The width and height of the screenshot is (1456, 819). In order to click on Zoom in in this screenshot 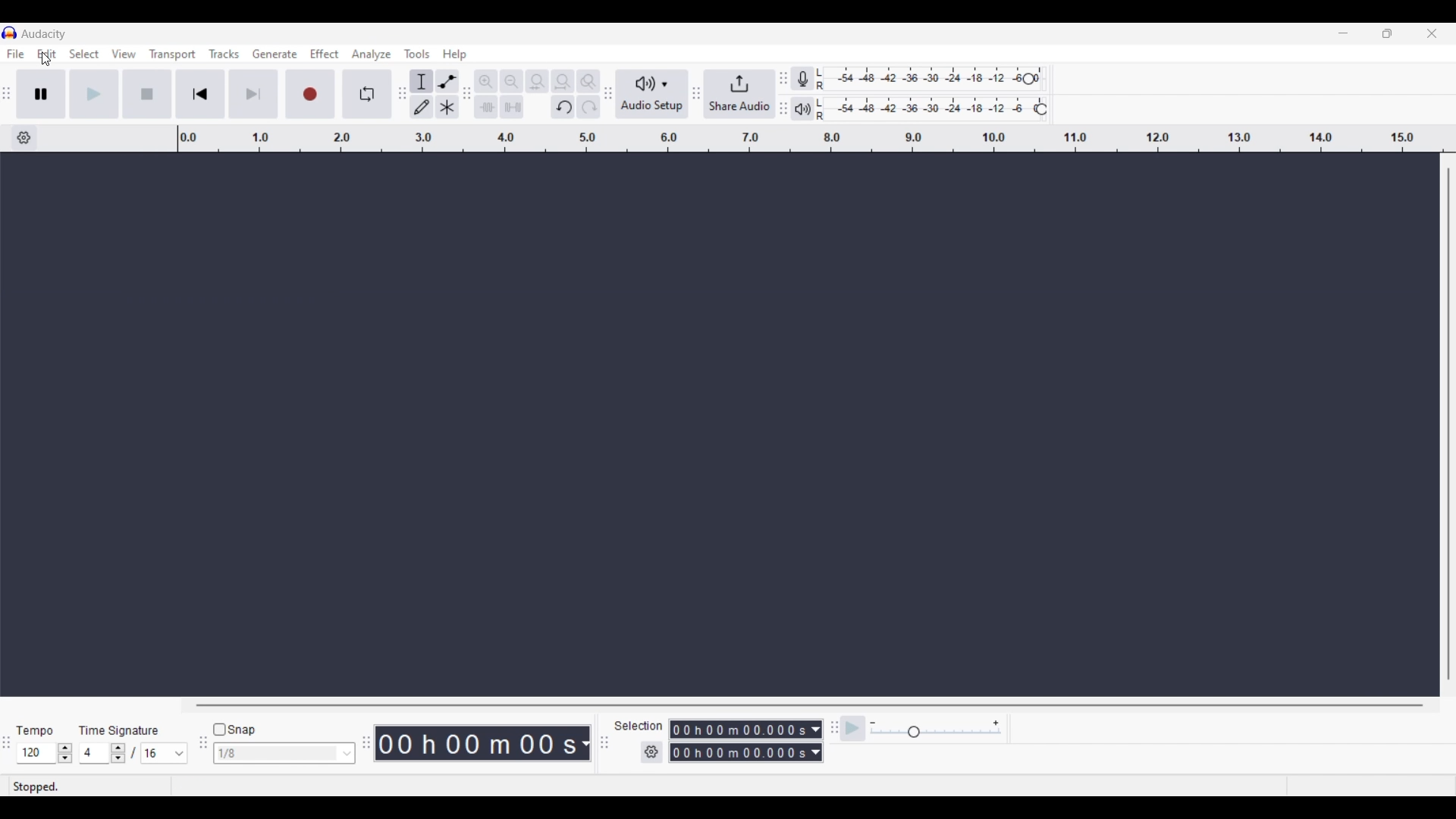, I will do `click(485, 81)`.